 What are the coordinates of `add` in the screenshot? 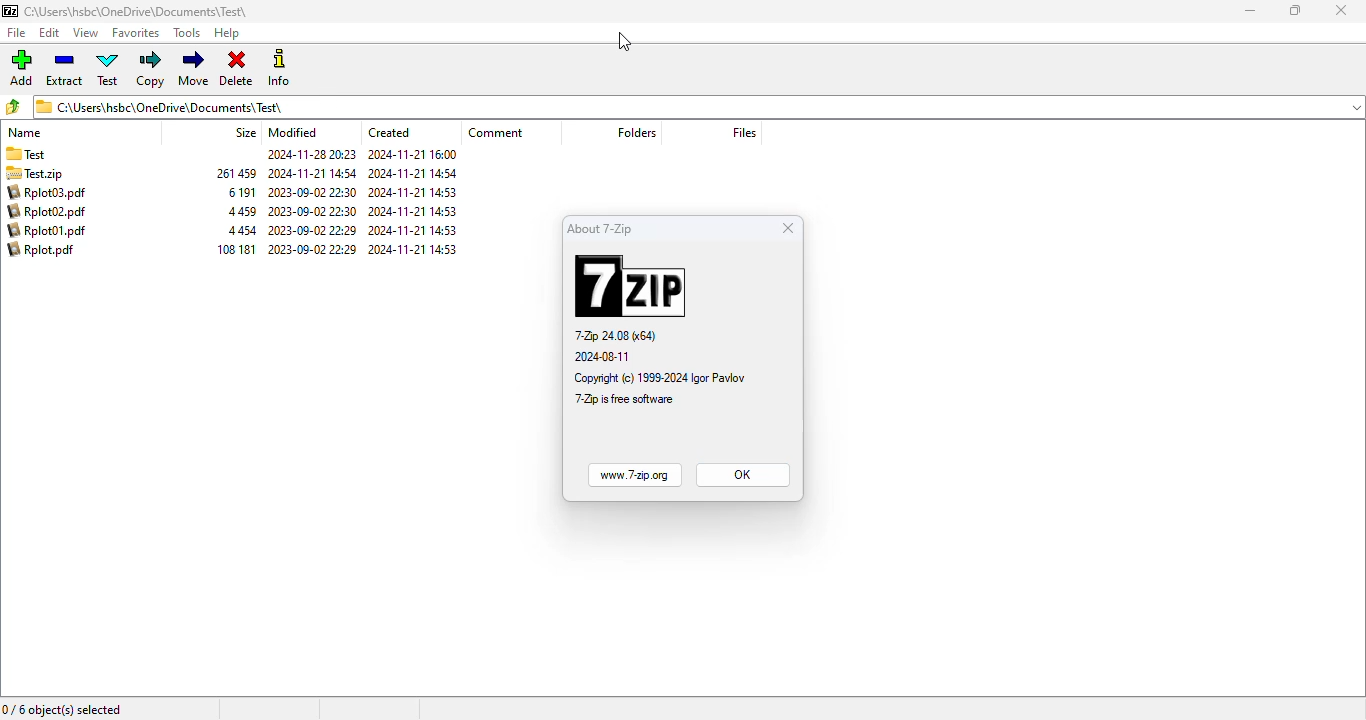 It's located at (22, 67).